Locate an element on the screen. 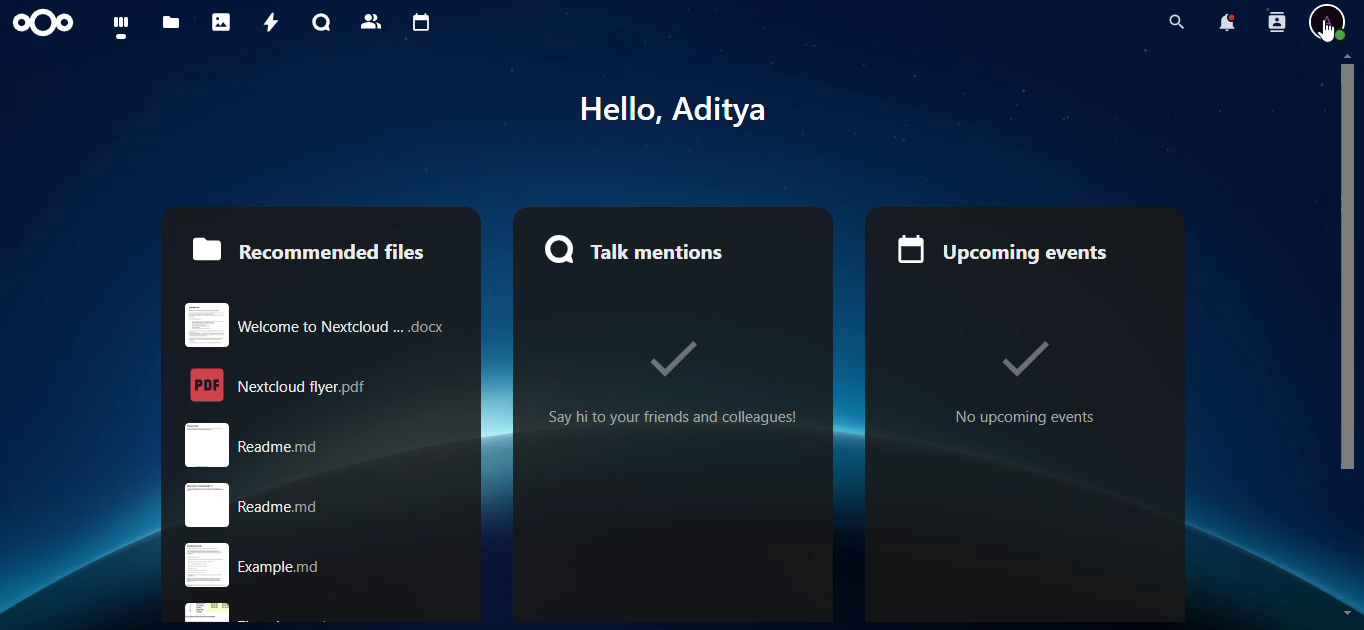 This screenshot has height=630, width=1364. Readme.rnd is located at coordinates (323, 444).